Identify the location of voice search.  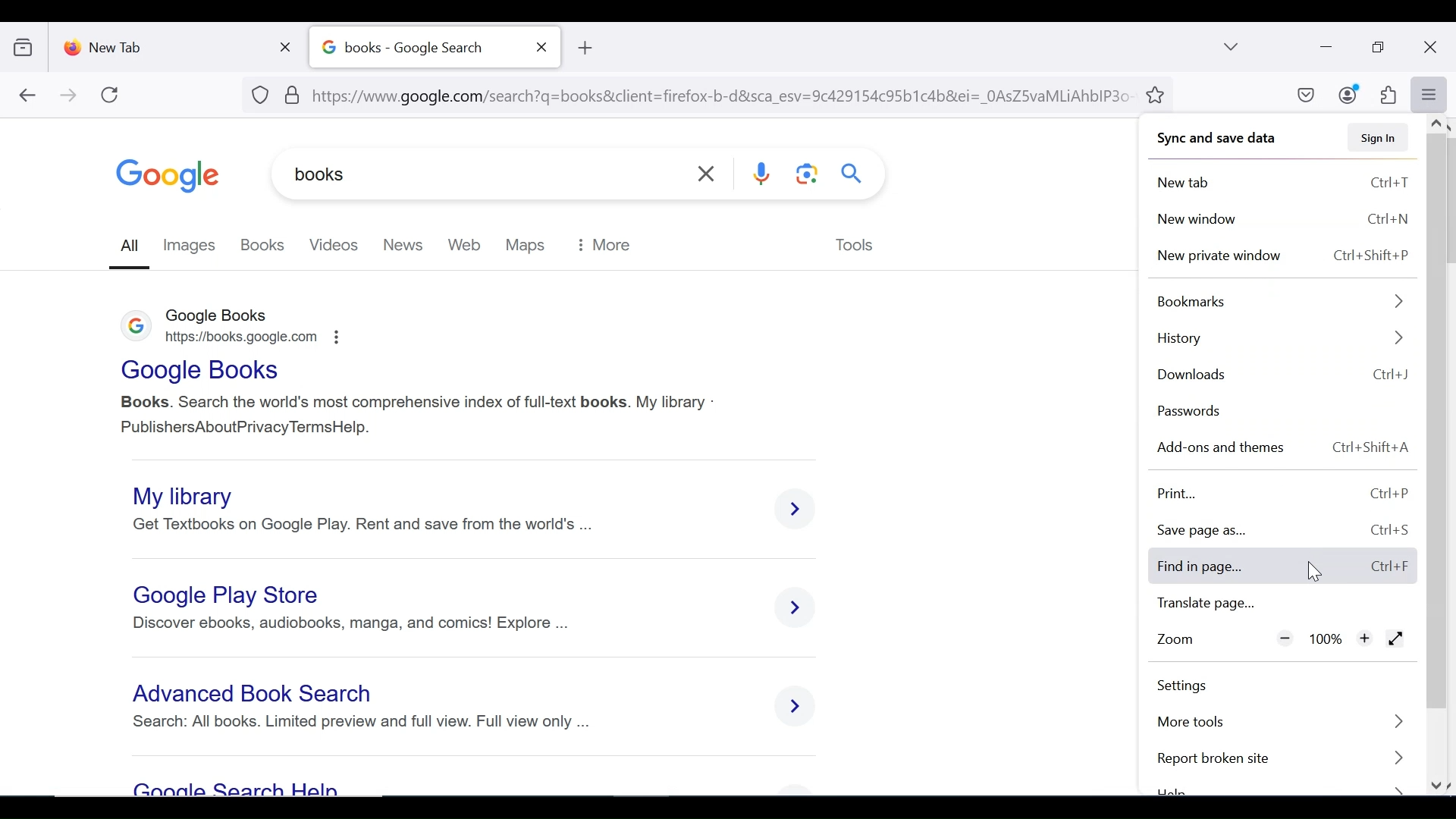
(764, 176).